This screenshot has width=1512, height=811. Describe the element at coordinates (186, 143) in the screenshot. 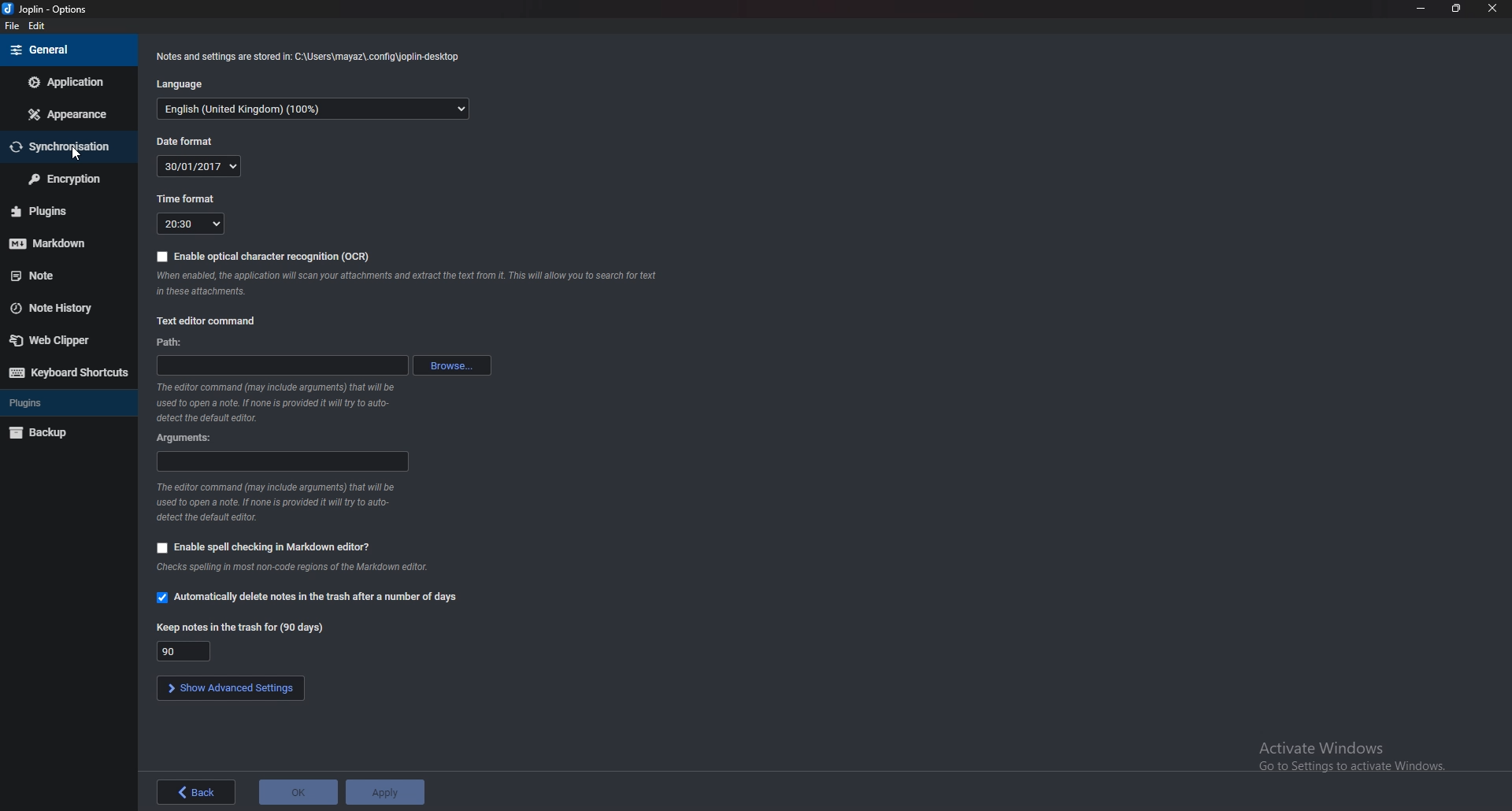

I see `date format` at that location.